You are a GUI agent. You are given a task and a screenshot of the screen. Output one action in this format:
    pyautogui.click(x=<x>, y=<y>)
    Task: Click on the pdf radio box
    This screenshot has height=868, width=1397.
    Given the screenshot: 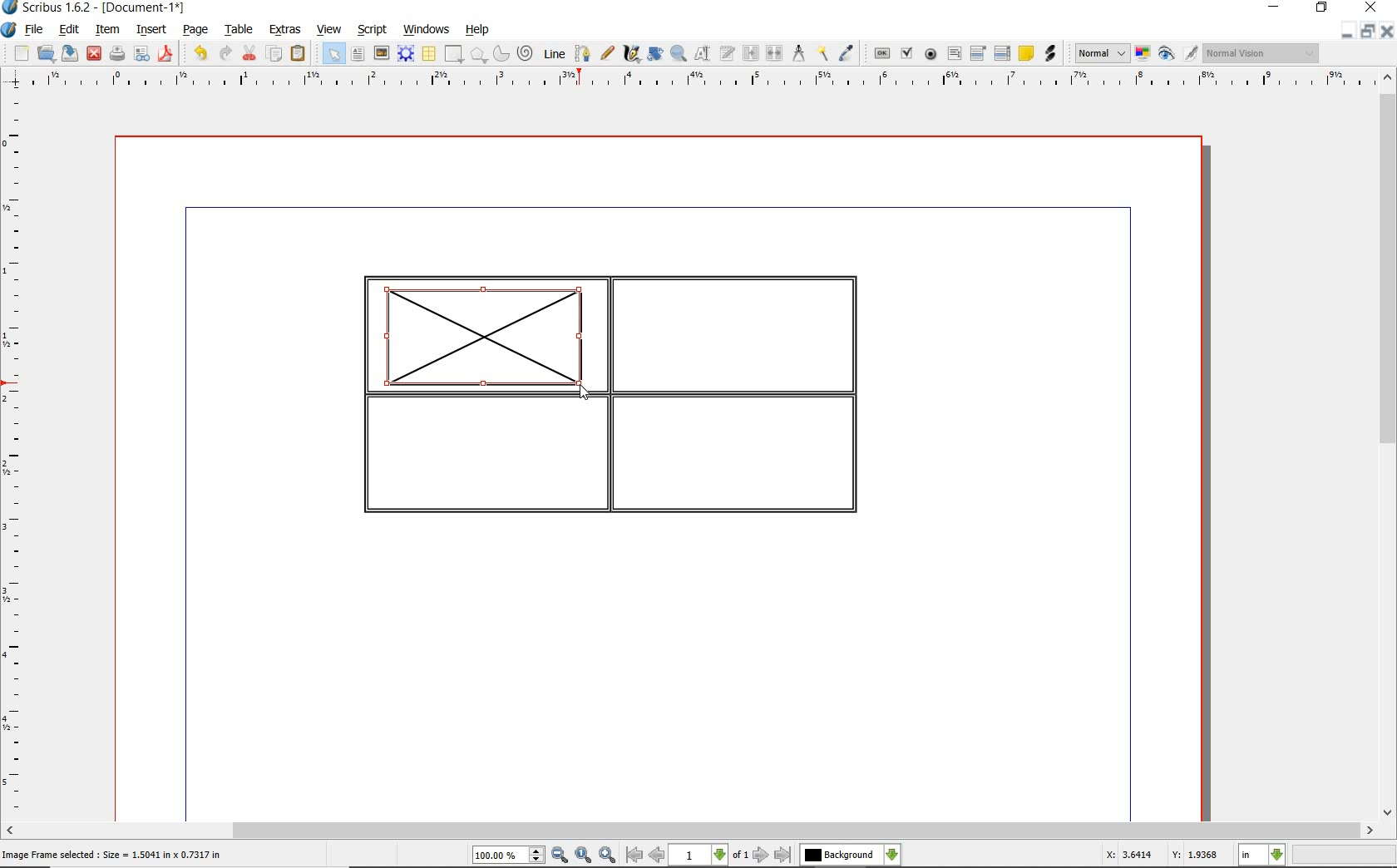 What is the action you would take?
    pyautogui.click(x=931, y=55)
    